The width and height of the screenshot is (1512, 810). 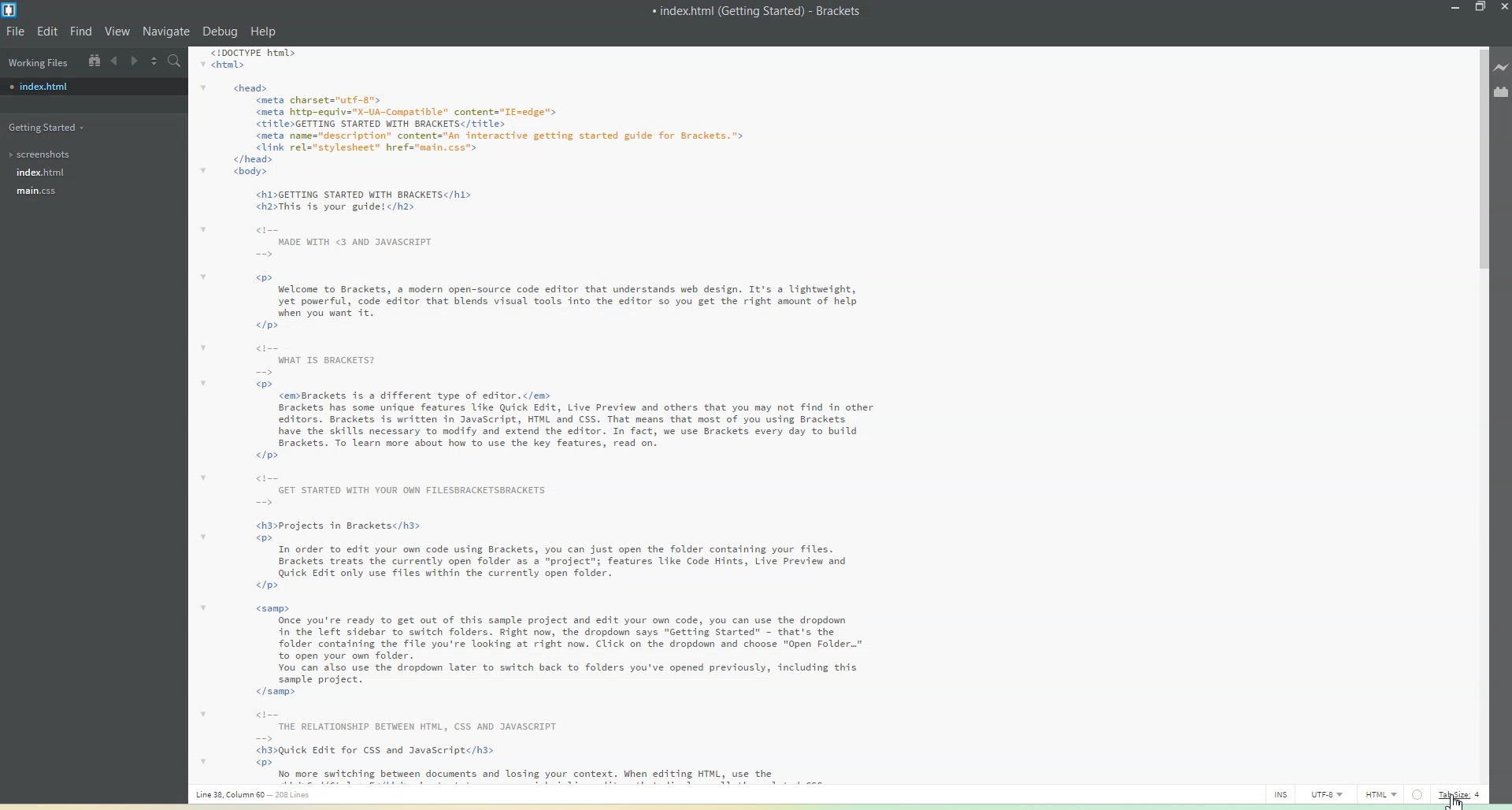 I want to click on Line, column, so click(x=265, y=796).